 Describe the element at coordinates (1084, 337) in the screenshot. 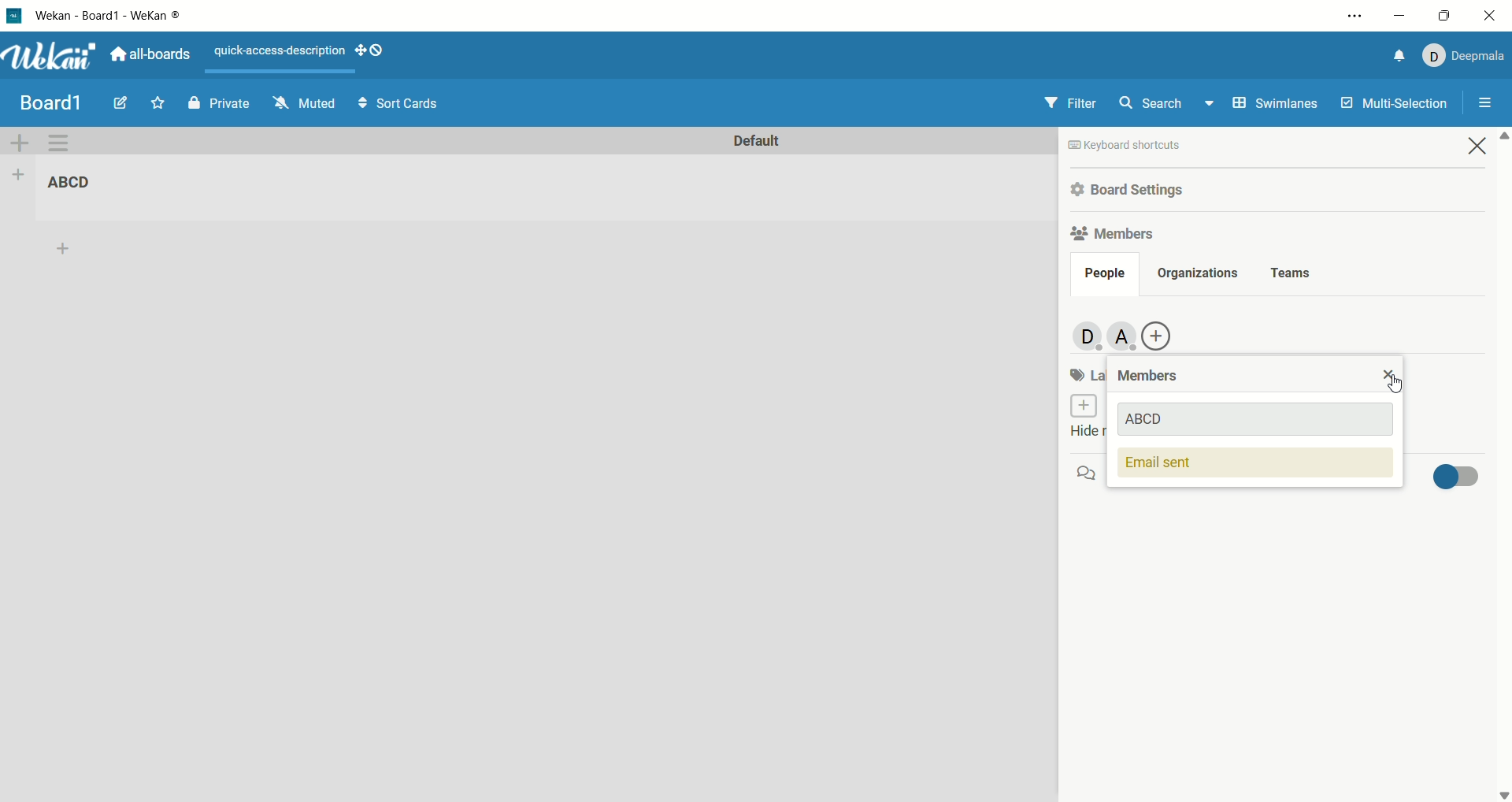

I see `admin` at that location.